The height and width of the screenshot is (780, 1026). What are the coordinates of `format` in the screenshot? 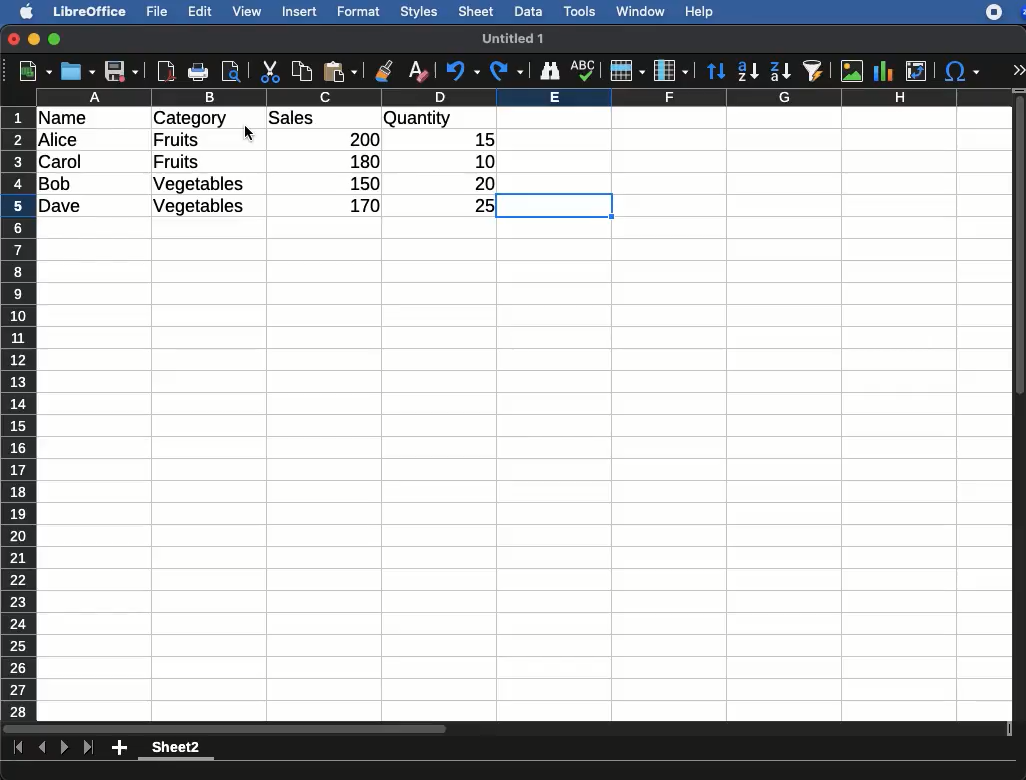 It's located at (359, 12).